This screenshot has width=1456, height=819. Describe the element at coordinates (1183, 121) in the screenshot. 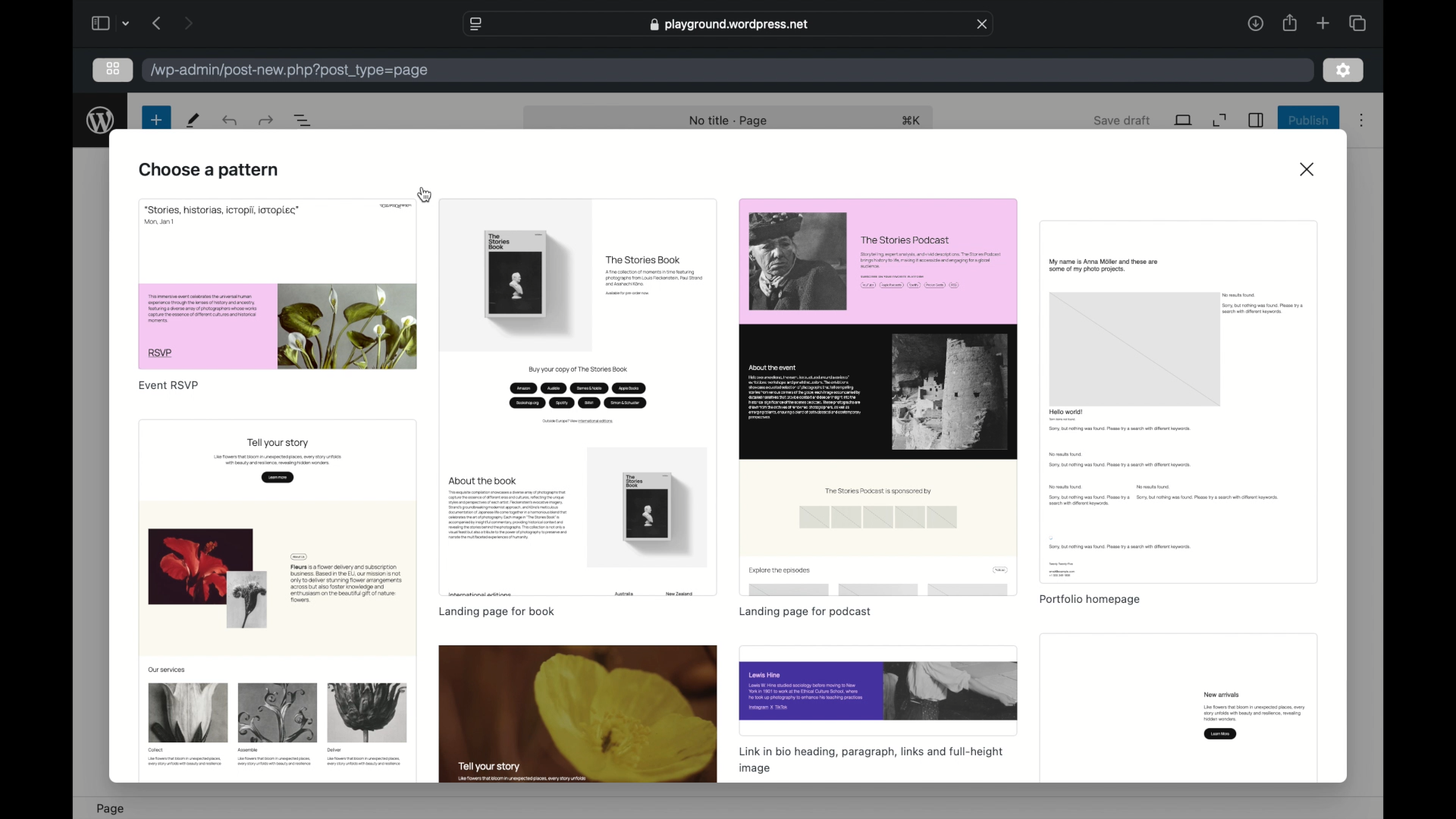

I see `view` at that location.